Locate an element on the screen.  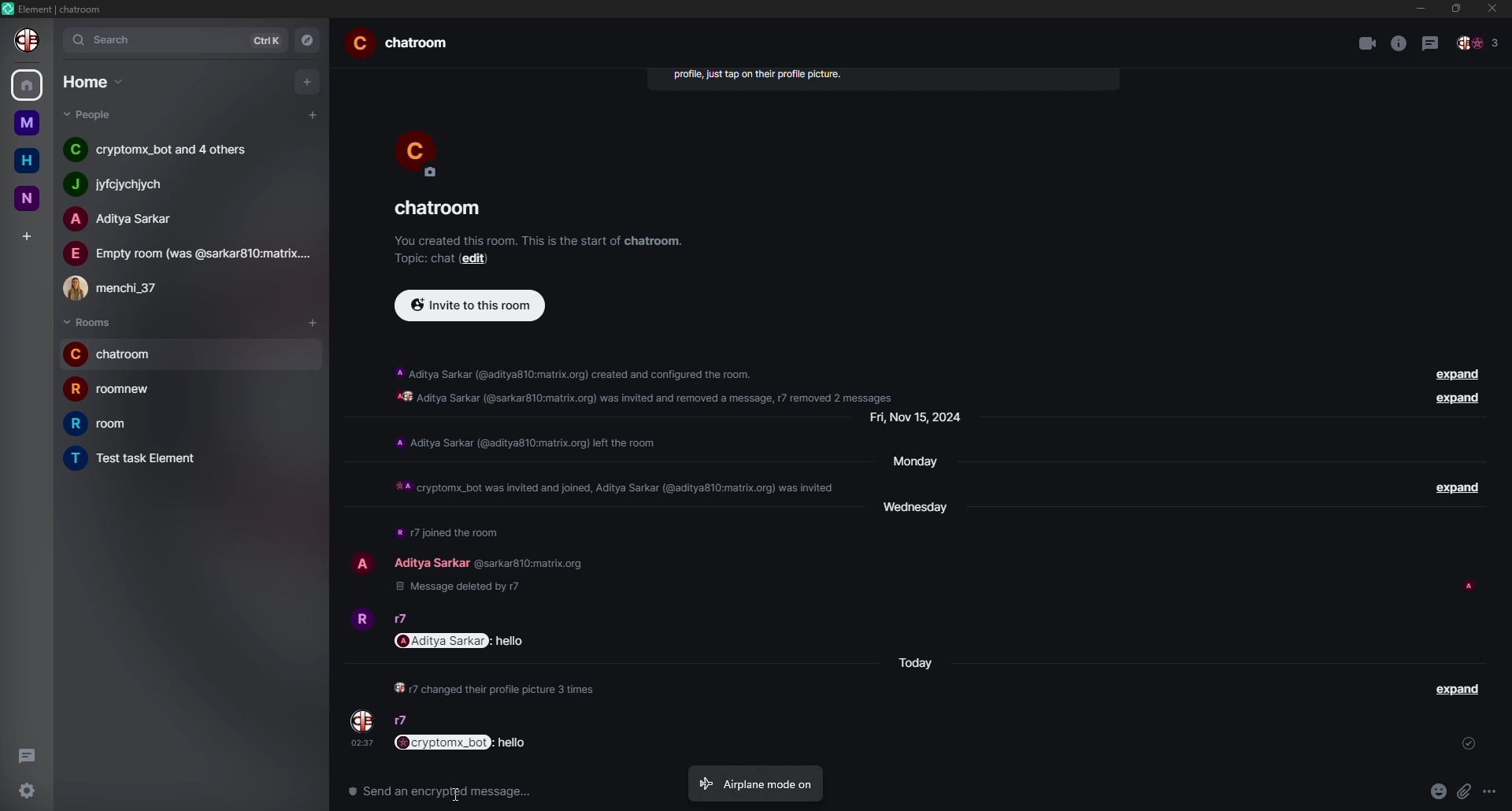
more is located at coordinates (1495, 791).